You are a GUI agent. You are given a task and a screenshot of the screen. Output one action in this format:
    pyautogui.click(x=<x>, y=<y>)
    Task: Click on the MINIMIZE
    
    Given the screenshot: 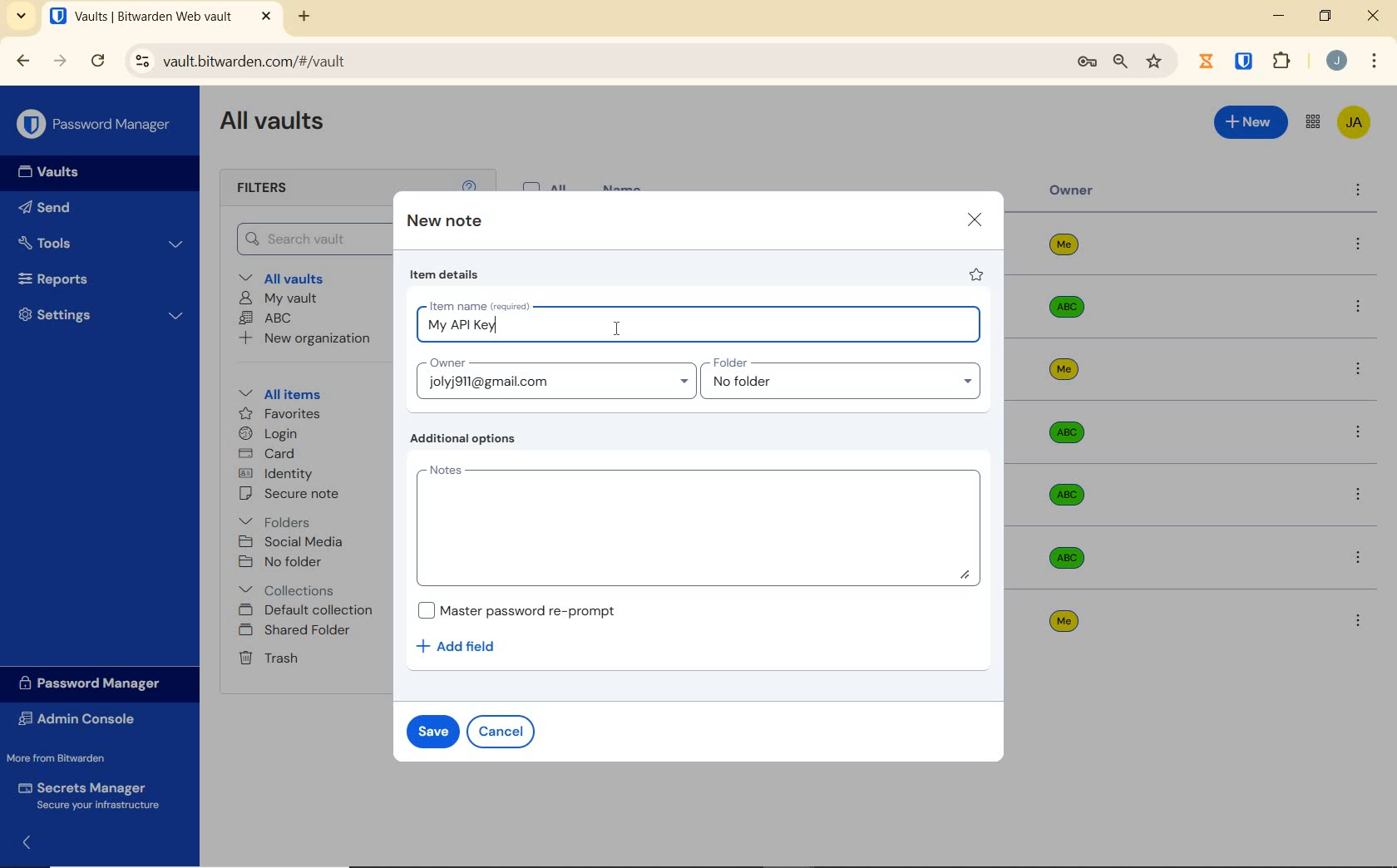 What is the action you would take?
    pyautogui.click(x=1281, y=17)
    